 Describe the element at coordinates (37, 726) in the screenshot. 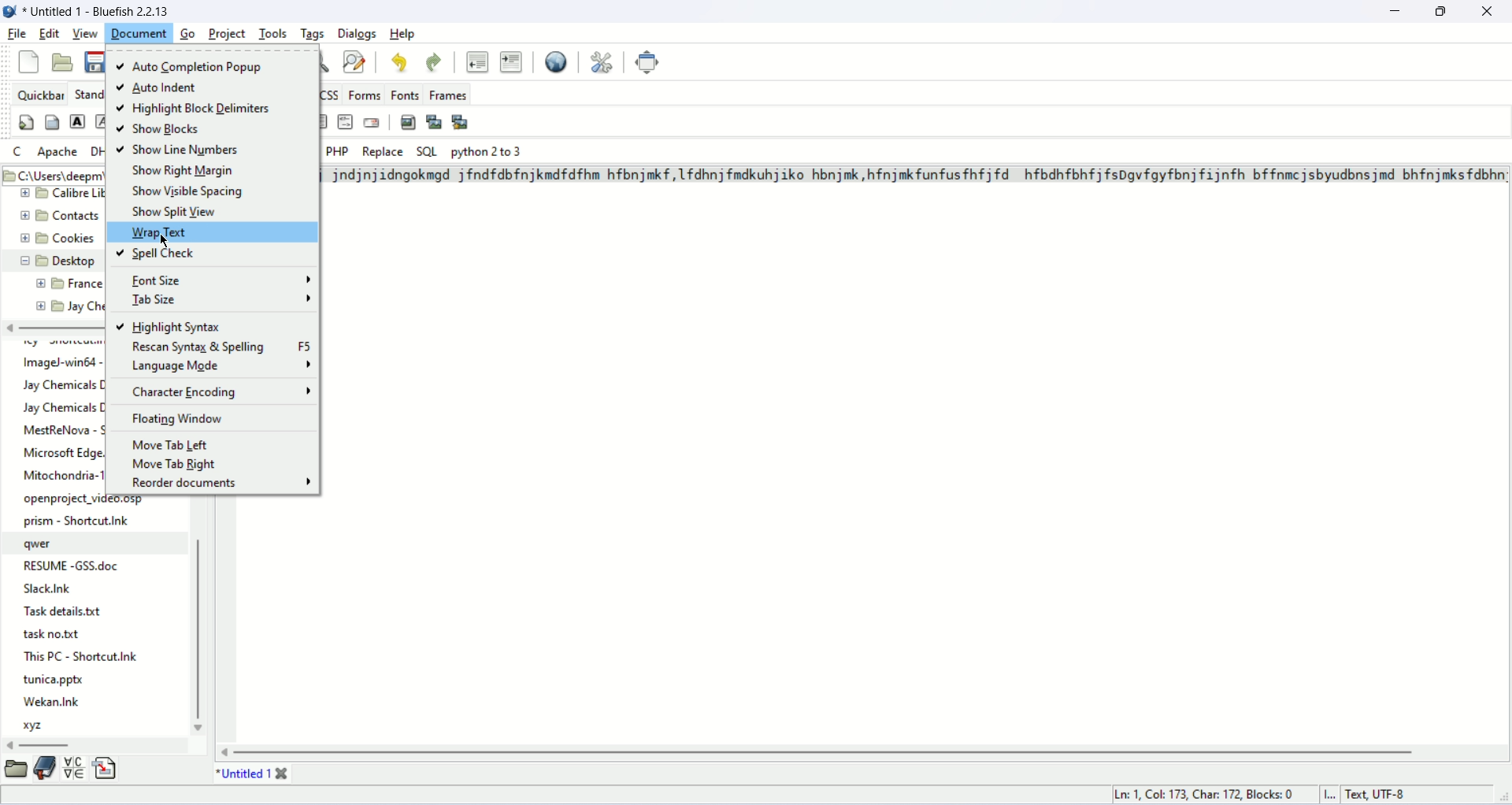

I see `xyz` at that location.